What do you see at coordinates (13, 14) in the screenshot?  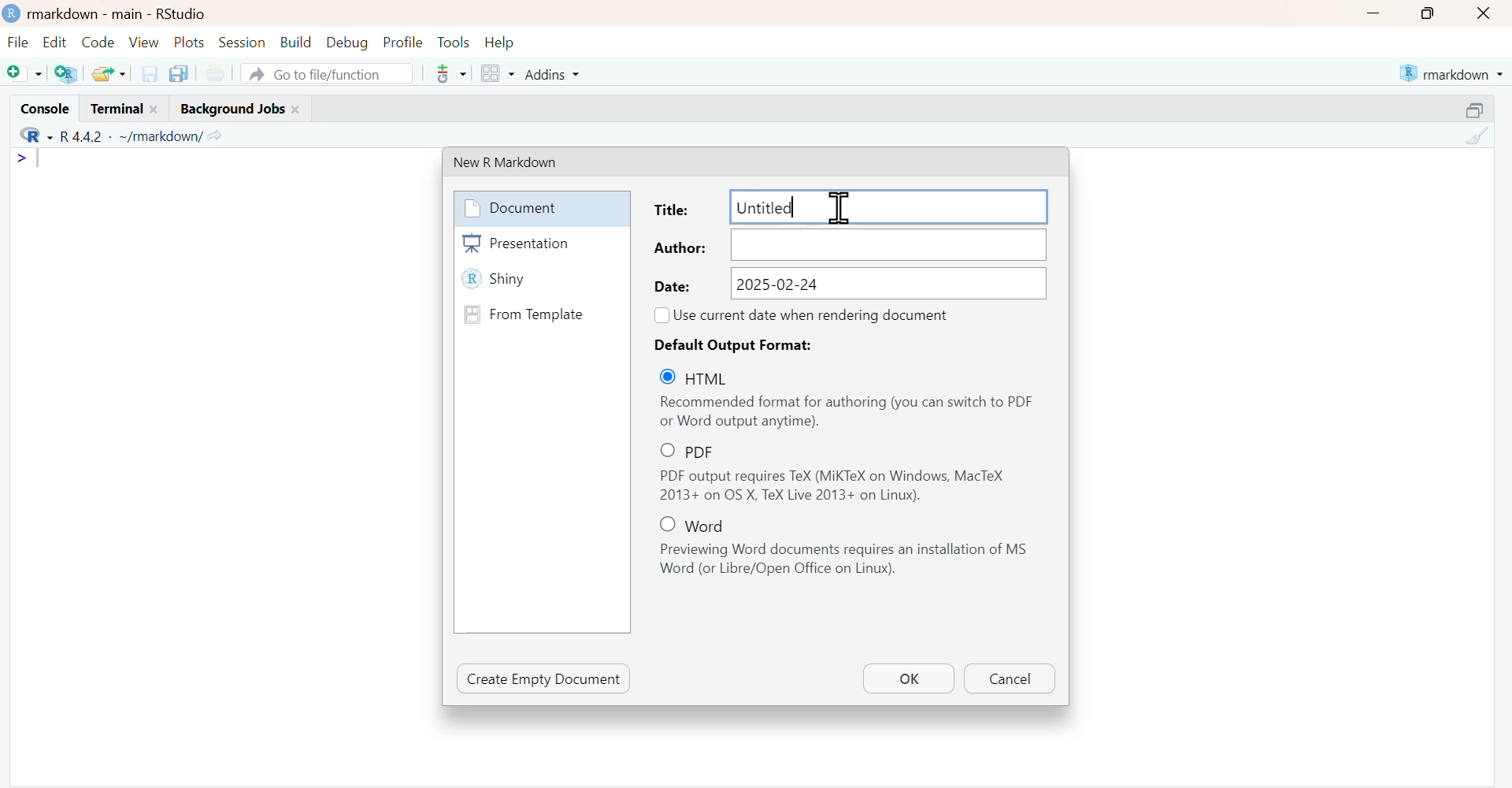 I see `Logo` at bounding box center [13, 14].